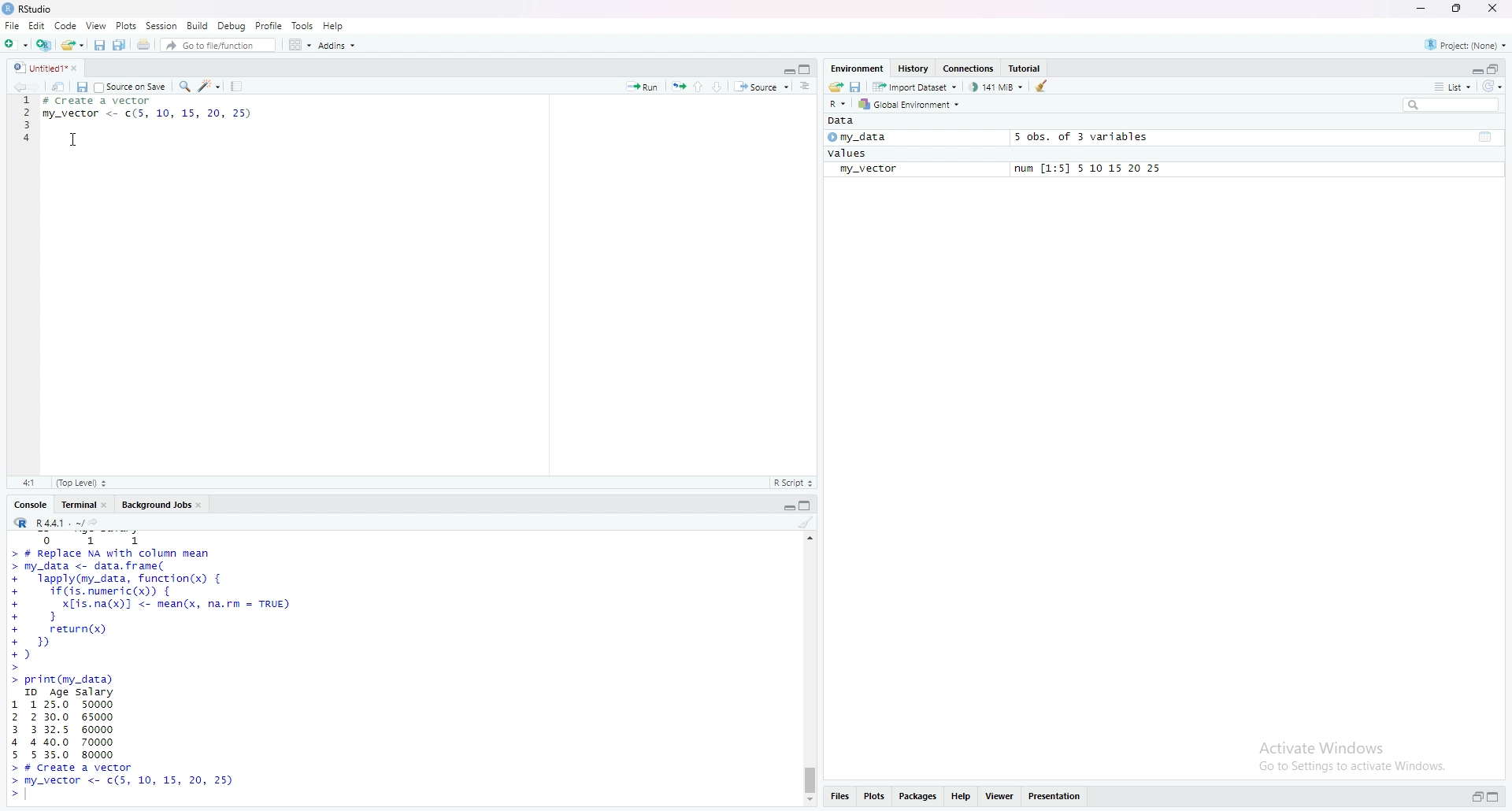  What do you see at coordinates (806, 523) in the screenshot?
I see `clear console` at bounding box center [806, 523].